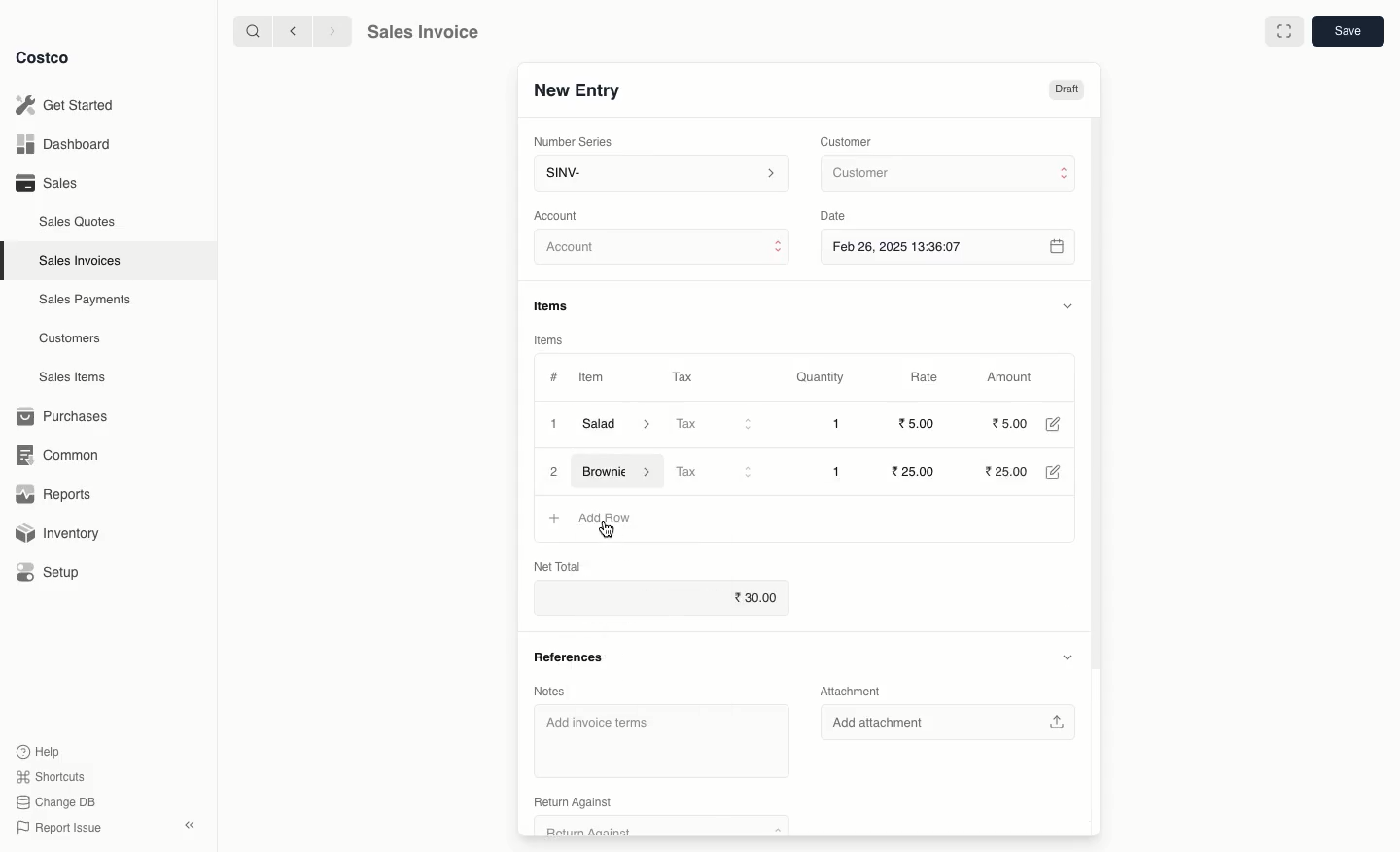 The height and width of the screenshot is (852, 1400). What do you see at coordinates (1350, 33) in the screenshot?
I see `Save` at bounding box center [1350, 33].